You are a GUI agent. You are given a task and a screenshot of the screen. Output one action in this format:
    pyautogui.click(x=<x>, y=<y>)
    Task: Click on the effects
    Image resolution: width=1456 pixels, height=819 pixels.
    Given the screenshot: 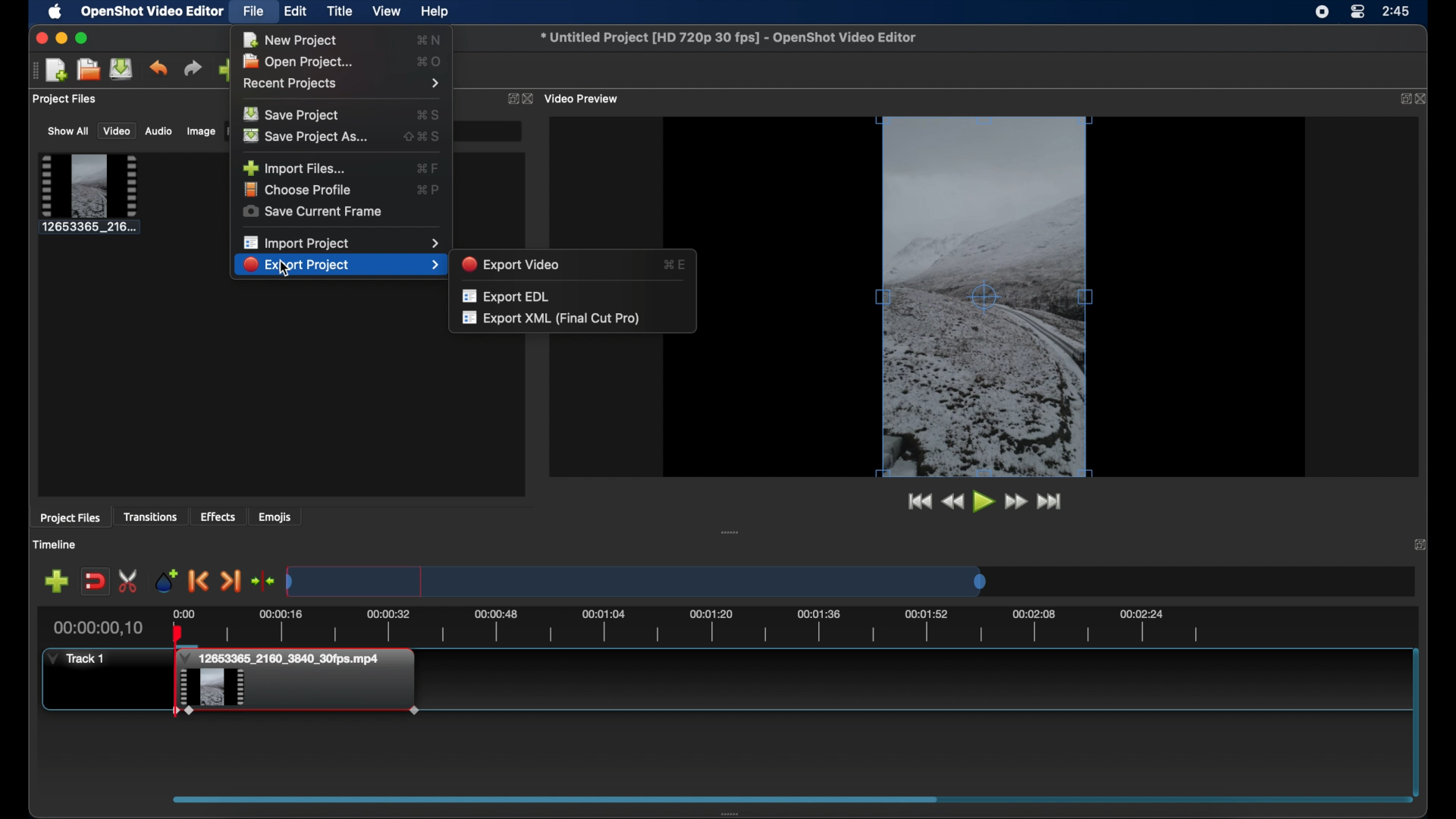 What is the action you would take?
    pyautogui.click(x=218, y=516)
    